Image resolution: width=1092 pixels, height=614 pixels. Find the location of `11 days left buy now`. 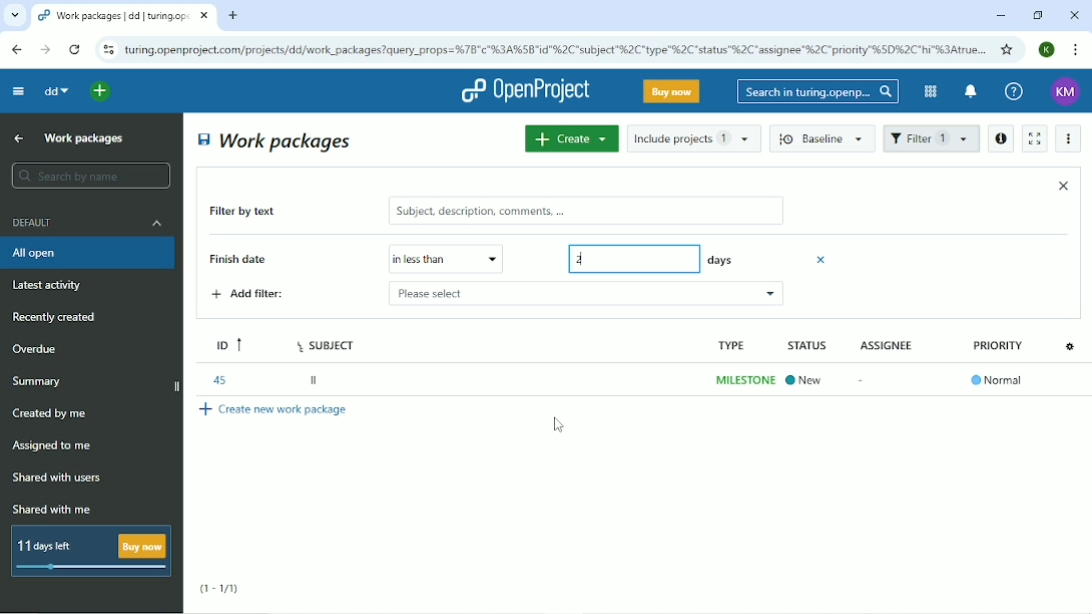

11 days left buy now is located at coordinates (89, 551).